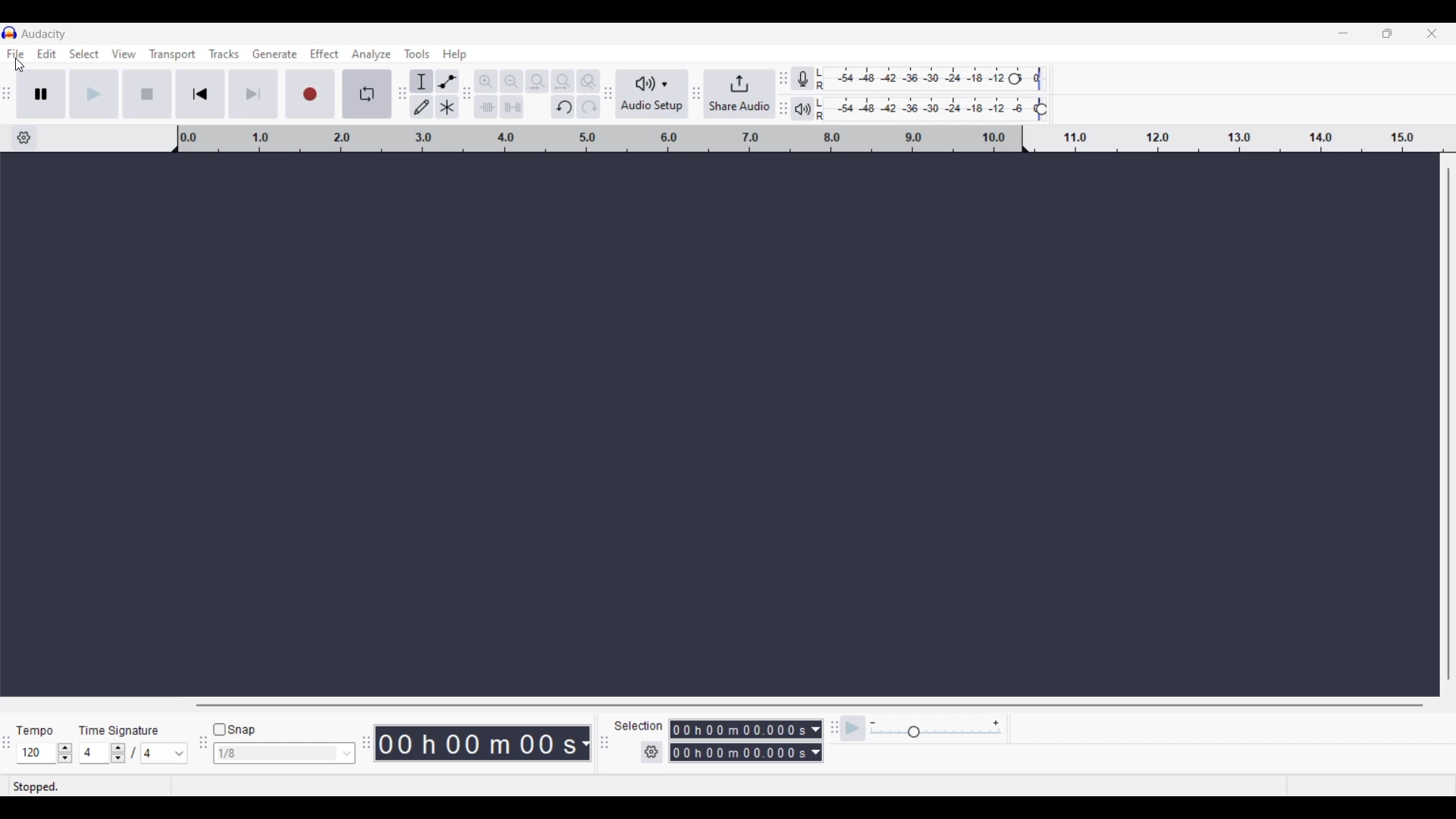  I want to click on 00h00m00.000s, so click(745, 755).